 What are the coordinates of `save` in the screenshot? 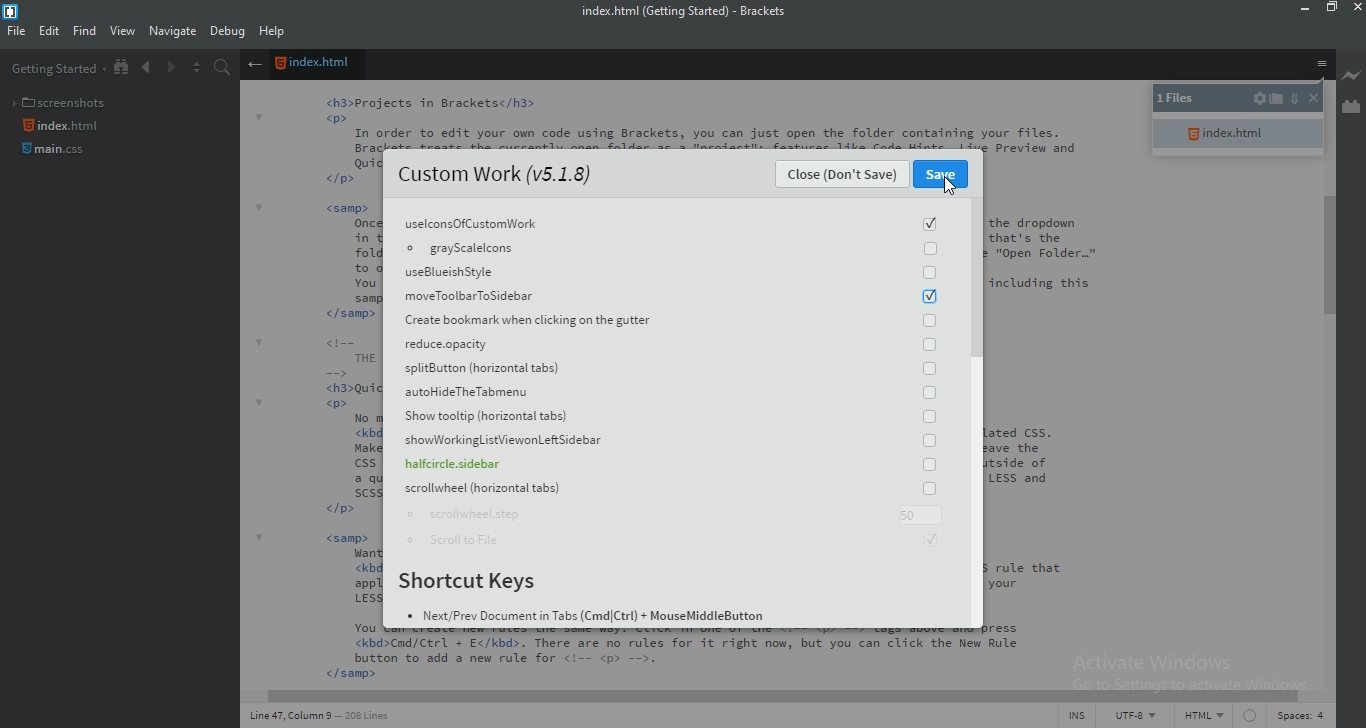 It's located at (943, 175).